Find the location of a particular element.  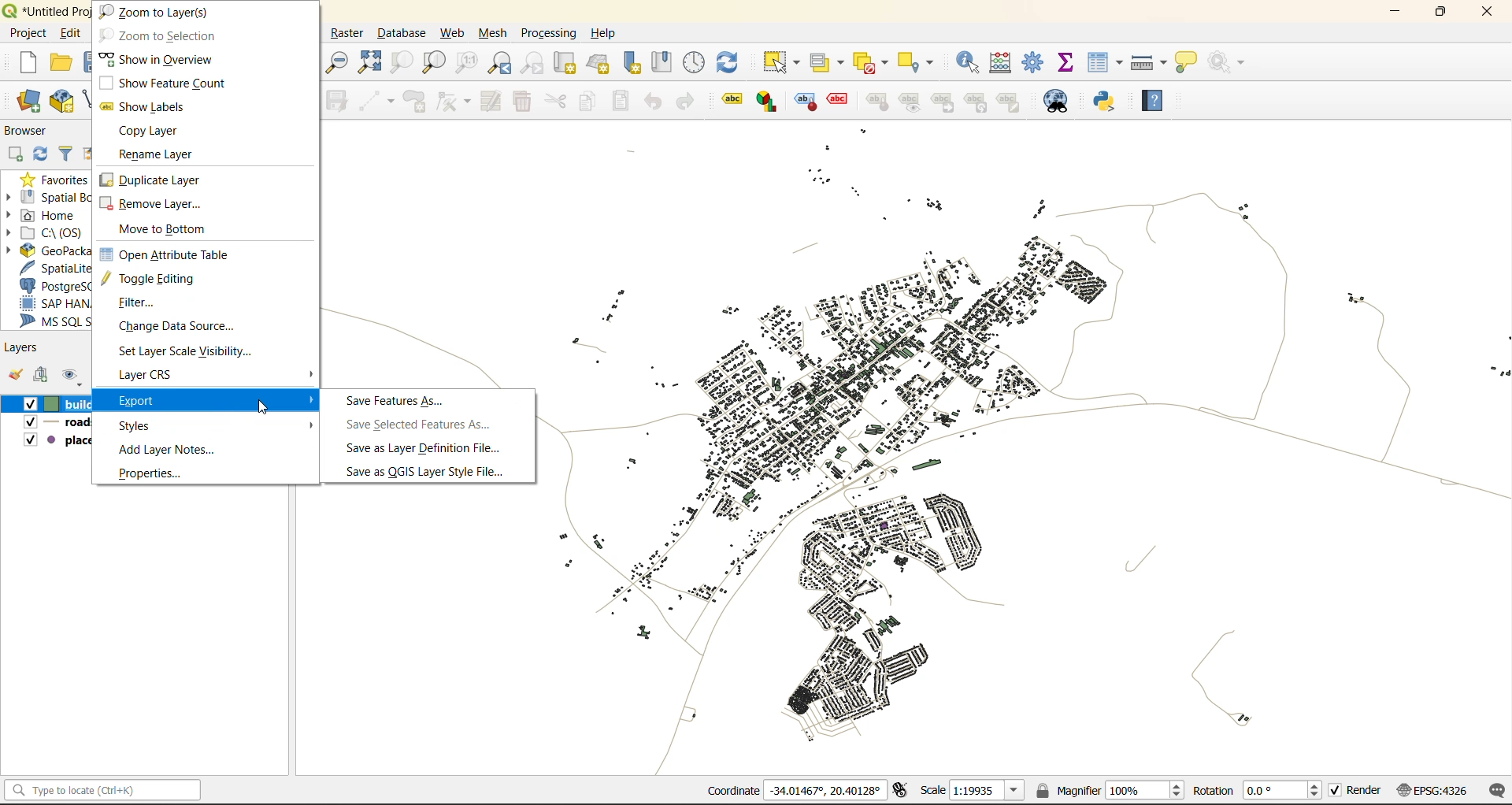

show tips is located at coordinates (1185, 64).